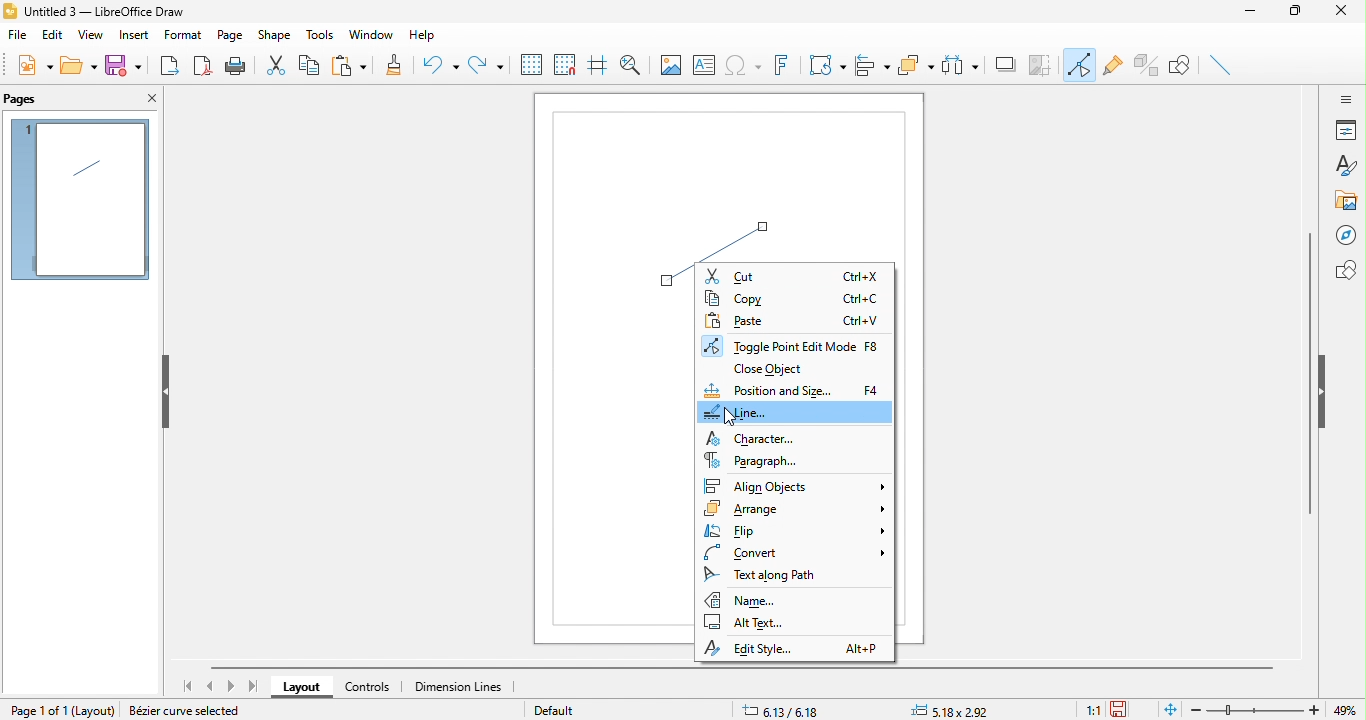  What do you see at coordinates (530, 65) in the screenshot?
I see `display to grid` at bounding box center [530, 65].